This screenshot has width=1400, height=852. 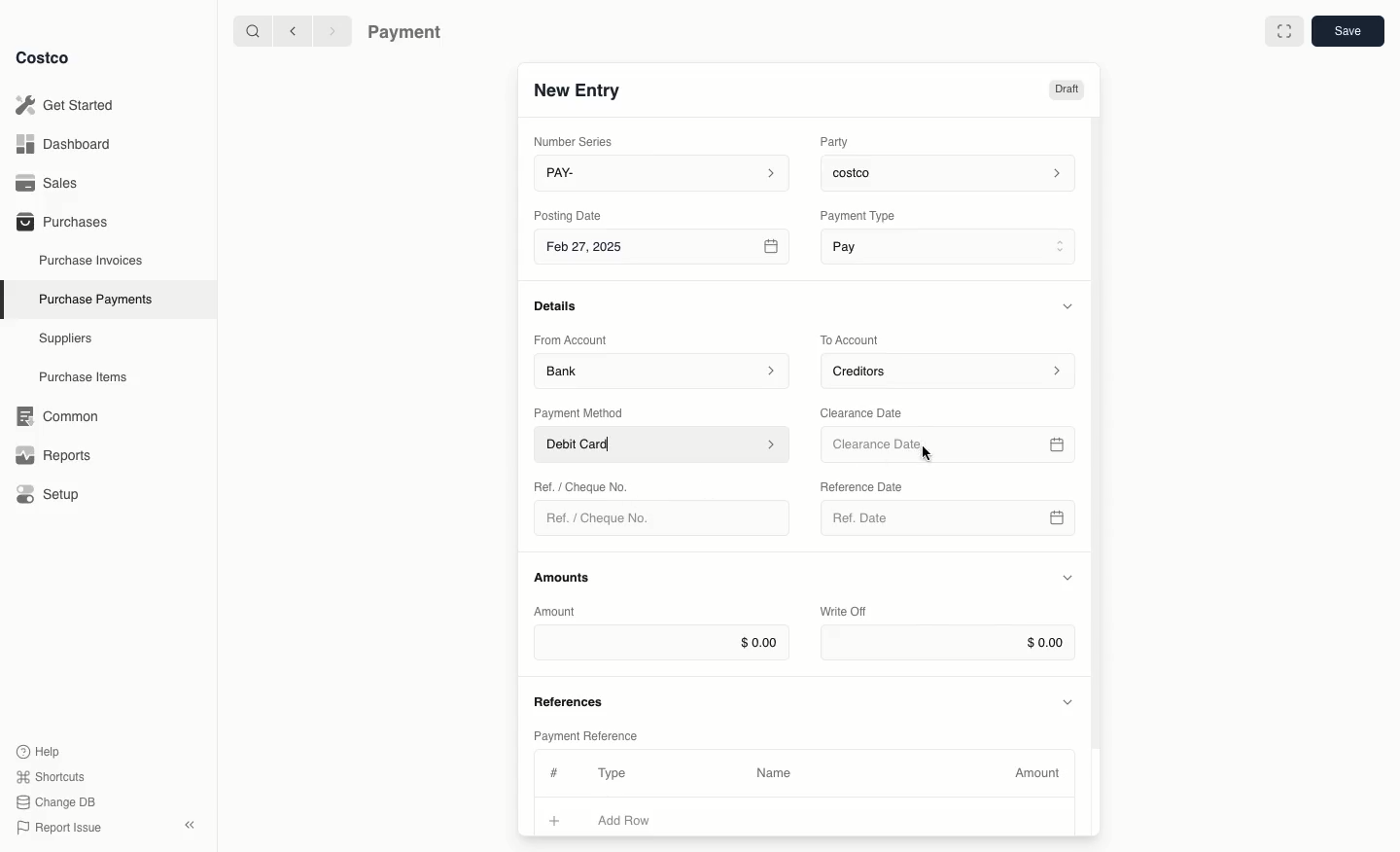 What do you see at coordinates (606, 518) in the screenshot?
I see `Ref. / Cheque No.` at bounding box center [606, 518].